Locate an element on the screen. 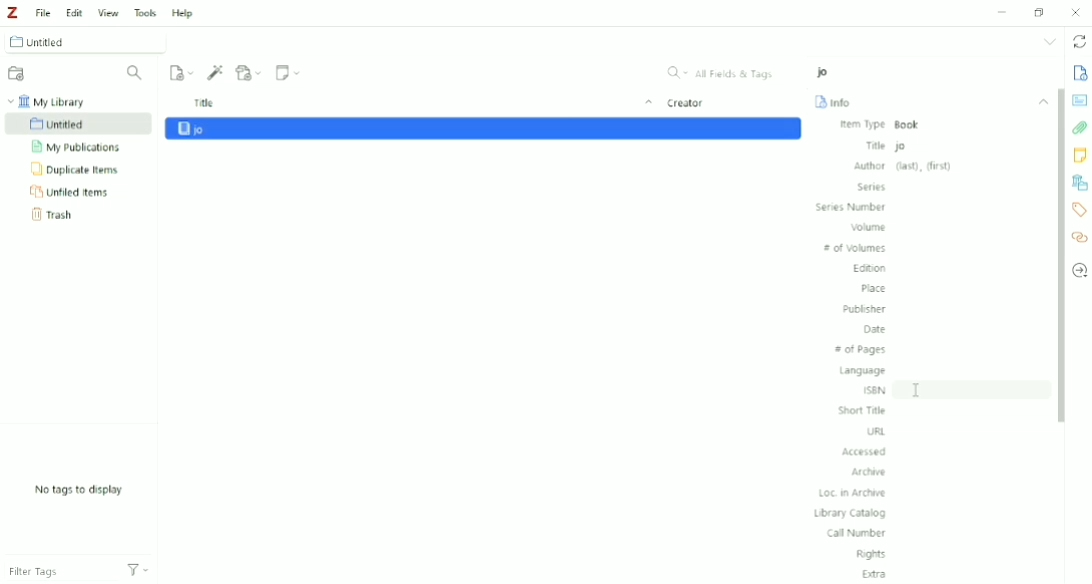  Tags is located at coordinates (1080, 209).